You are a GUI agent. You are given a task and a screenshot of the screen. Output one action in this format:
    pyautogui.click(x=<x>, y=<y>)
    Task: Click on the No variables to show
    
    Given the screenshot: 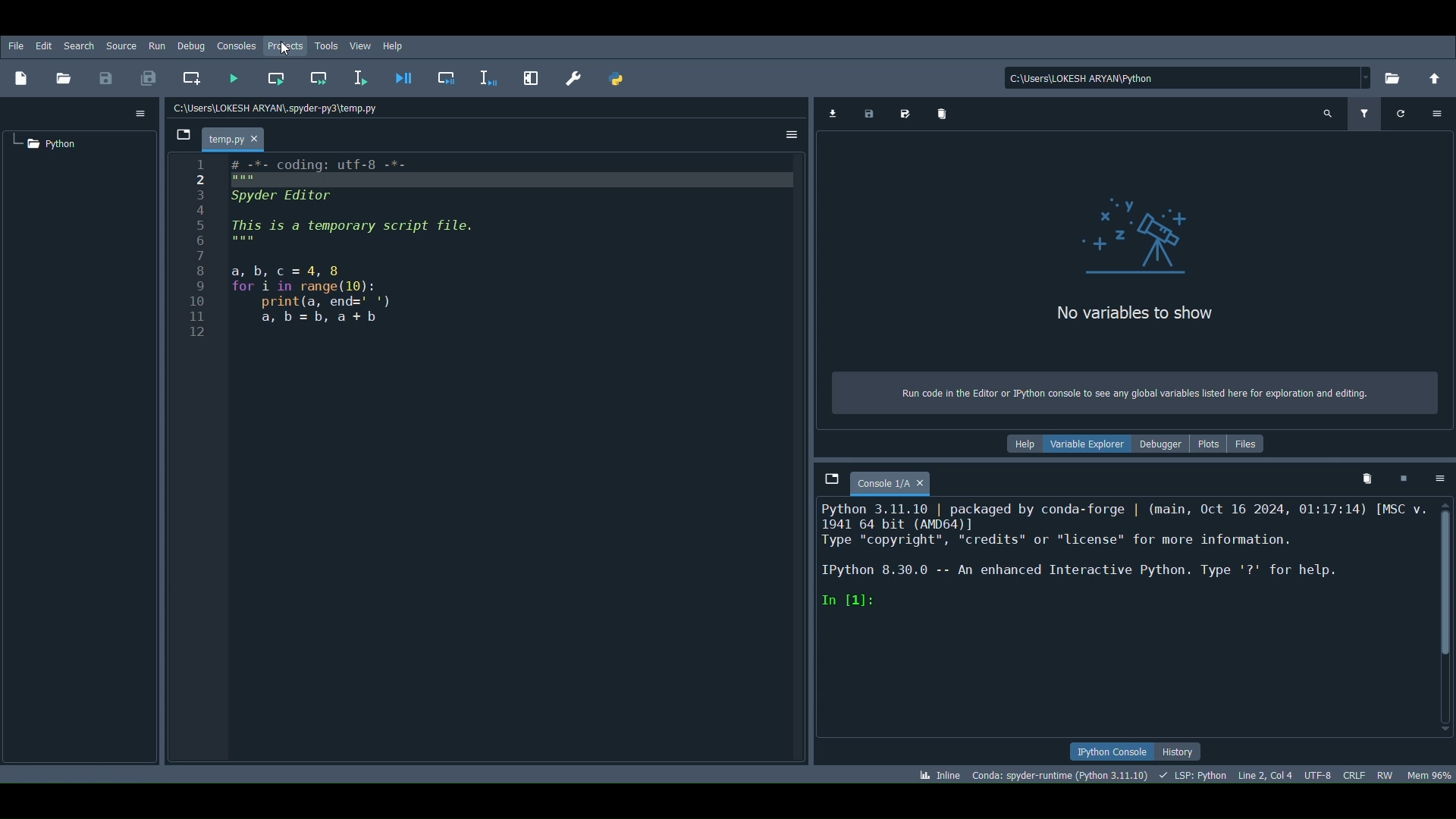 What is the action you would take?
    pyautogui.click(x=1137, y=313)
    